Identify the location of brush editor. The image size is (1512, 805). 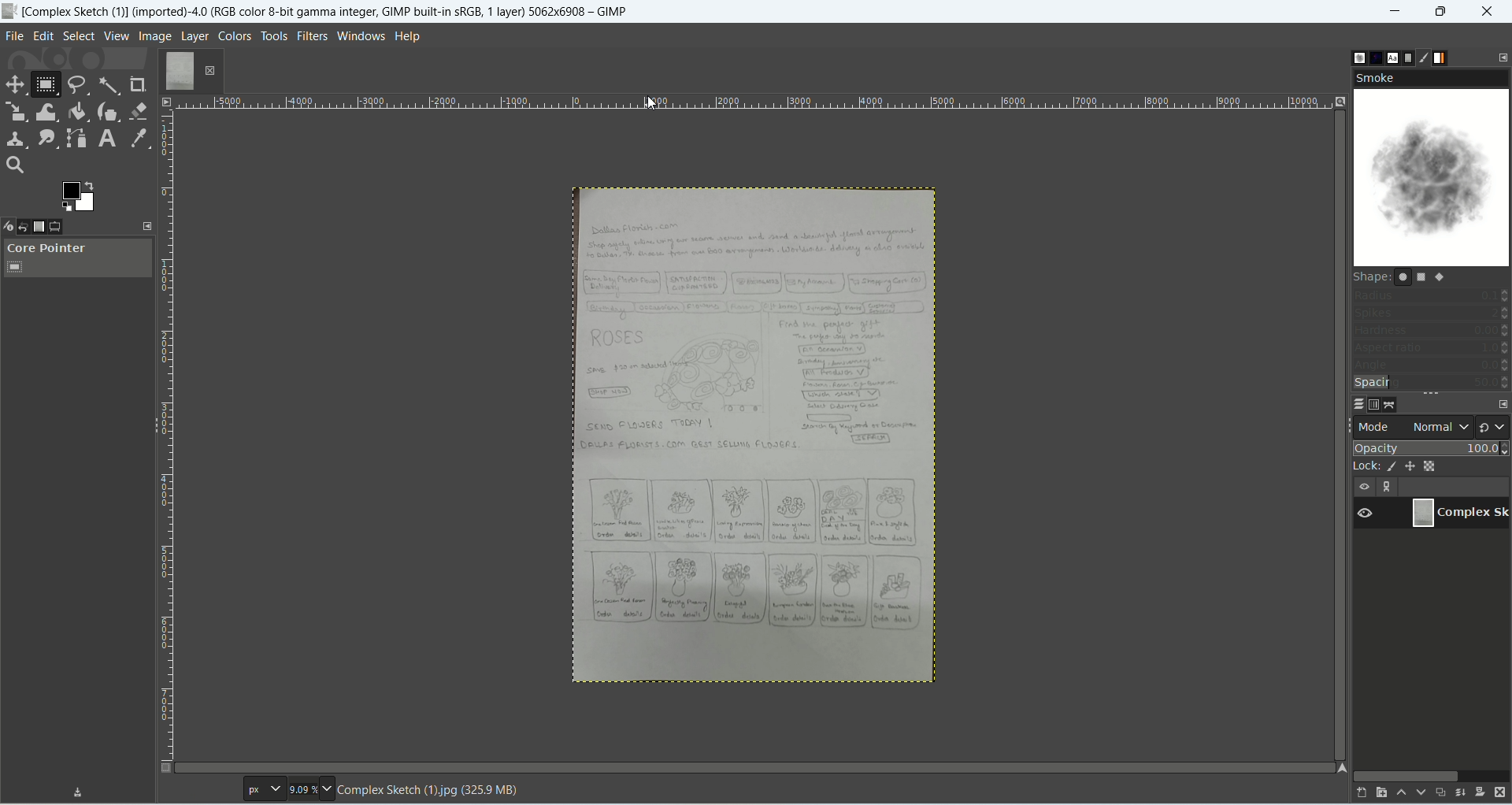
(1425, 56).